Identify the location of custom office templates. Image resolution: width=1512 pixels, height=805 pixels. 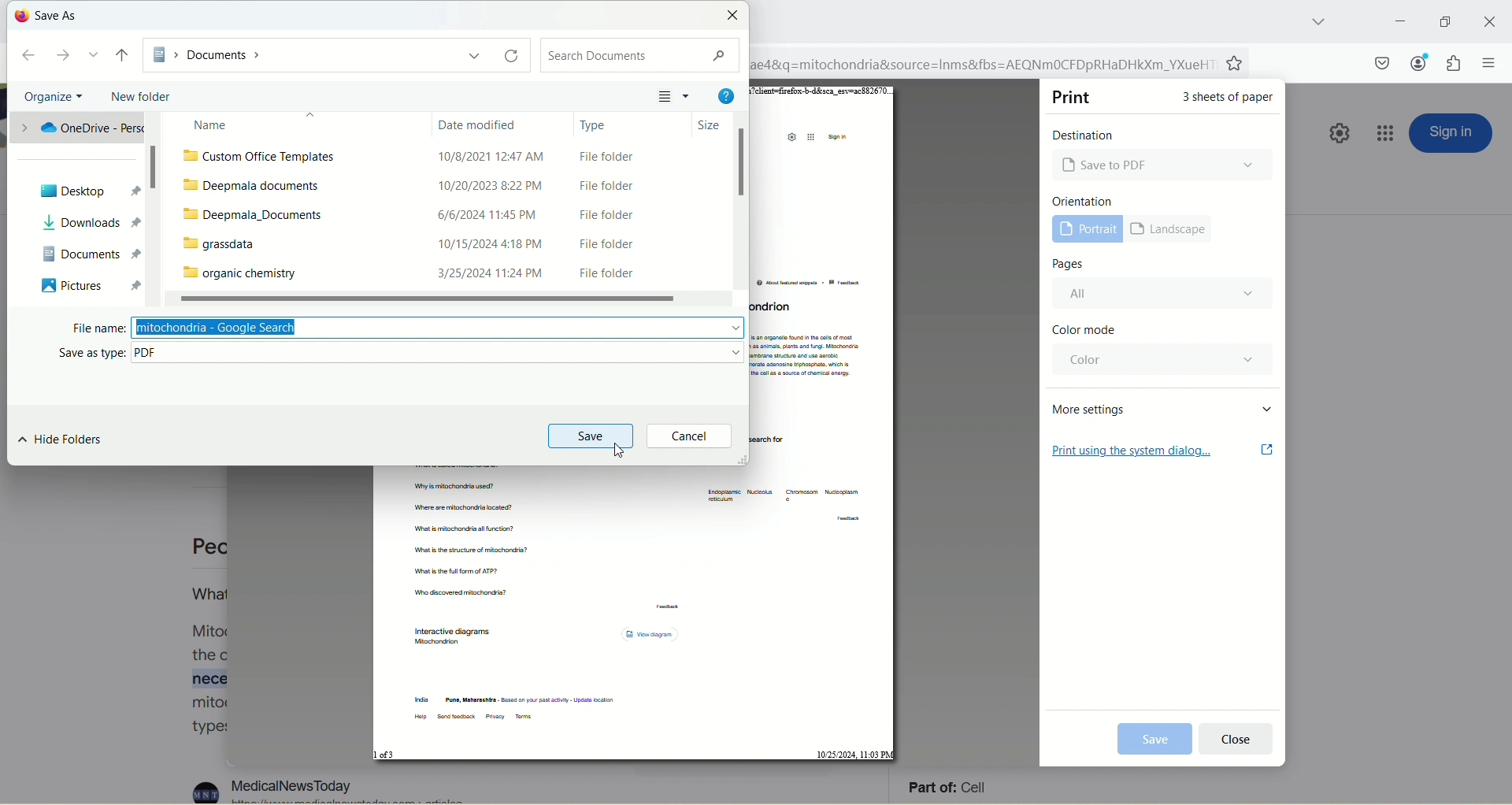
(450, 157).